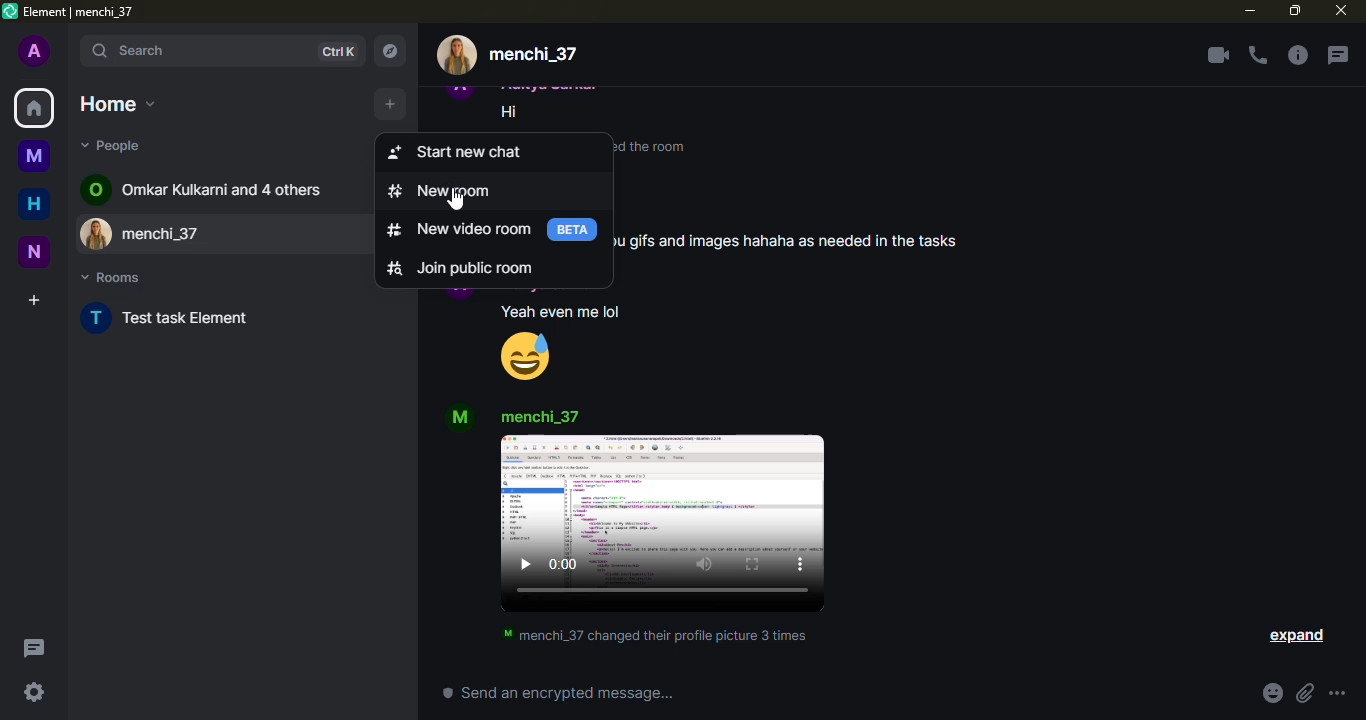 This screenshot has height=720, width=1366. I want to click on attach file, so click(1305, 693).